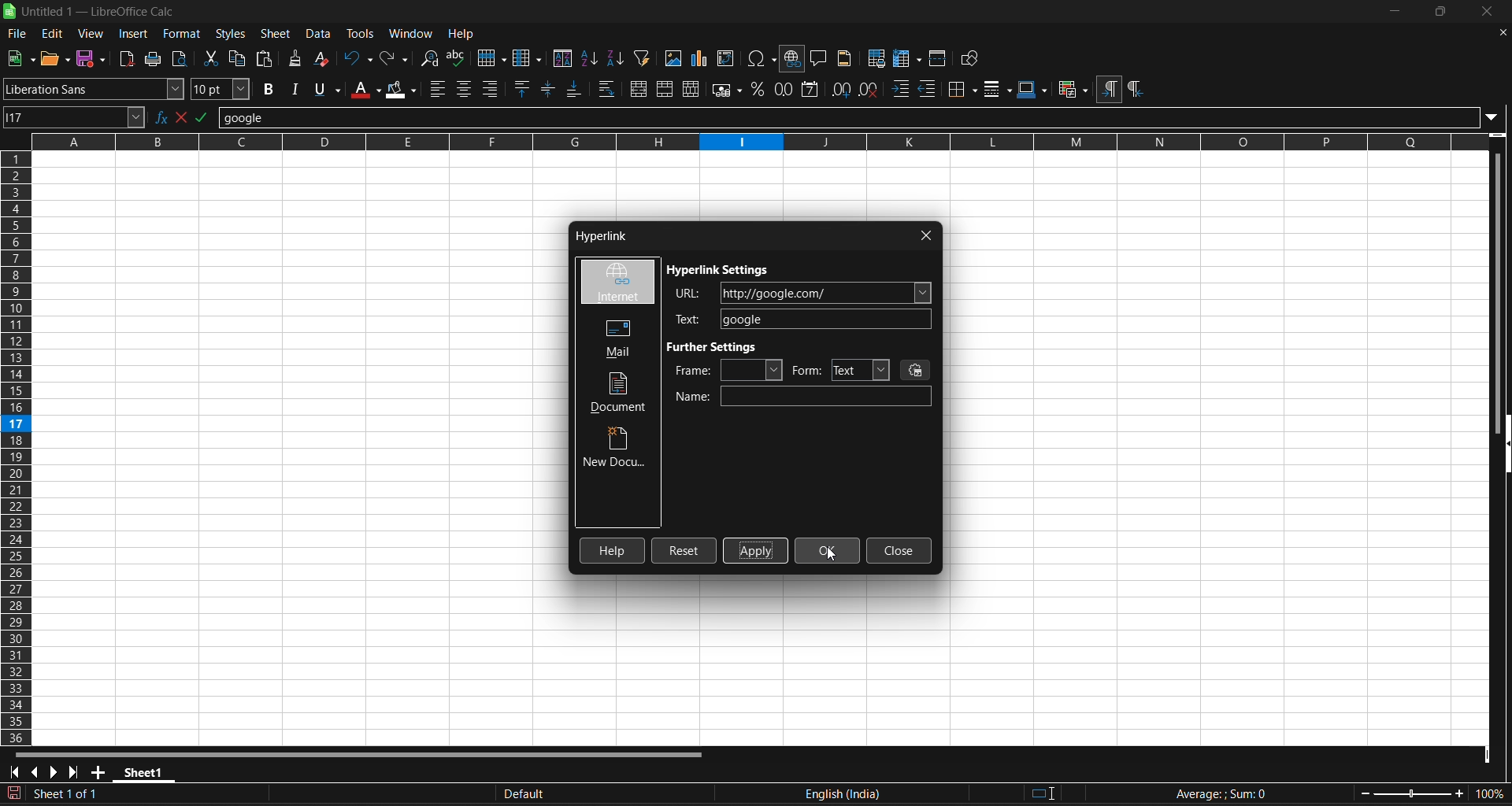 The width and height of the screenshot is (1512, 806). What do you see at coordinates (1503, 278) in the screenshot?
I see `vertical scroll bar` at bounding box center [1503, 278].